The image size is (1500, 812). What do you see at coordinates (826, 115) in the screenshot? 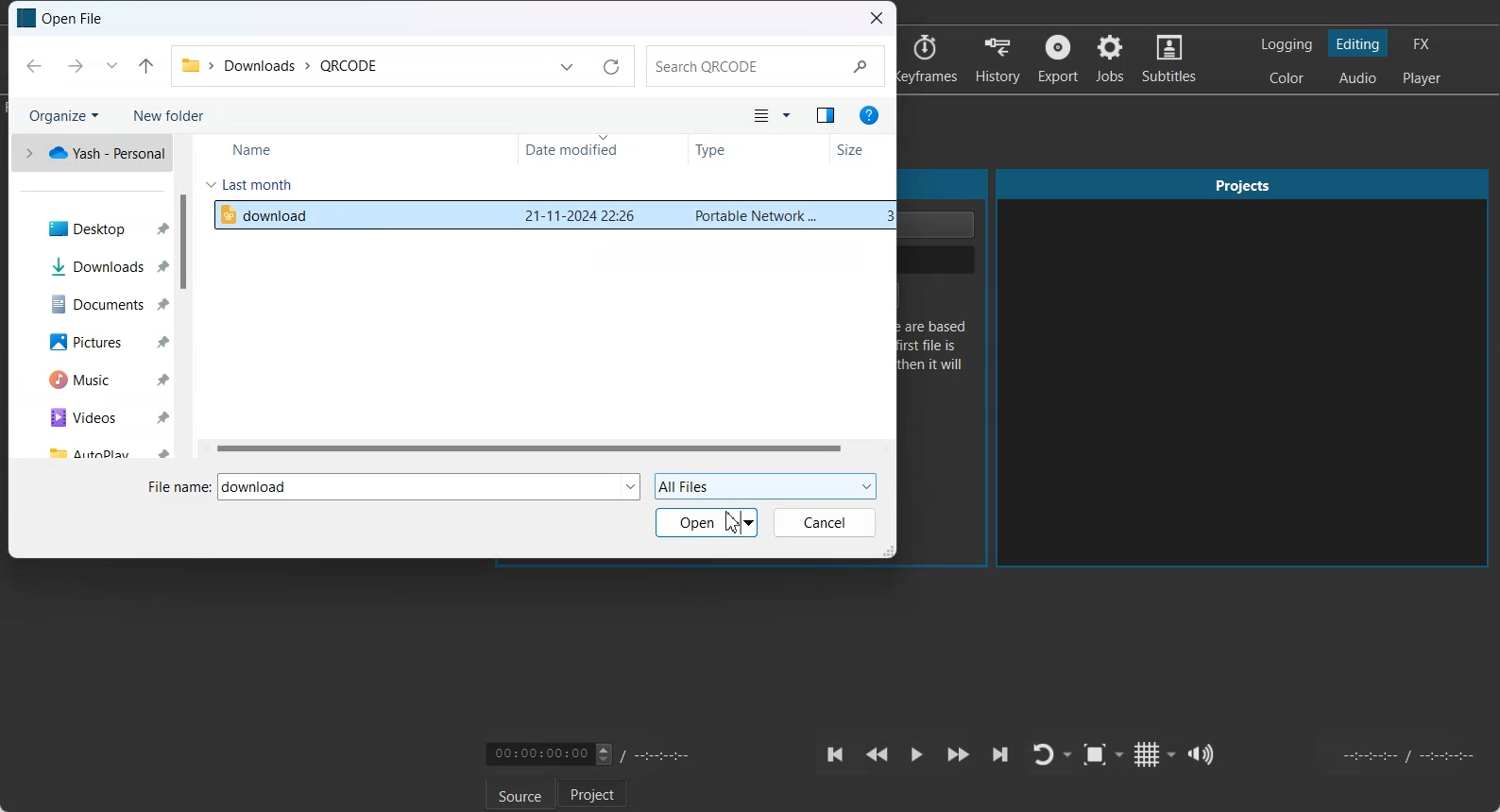
I see `Show the preview pane` at bounding box center [826, 115].